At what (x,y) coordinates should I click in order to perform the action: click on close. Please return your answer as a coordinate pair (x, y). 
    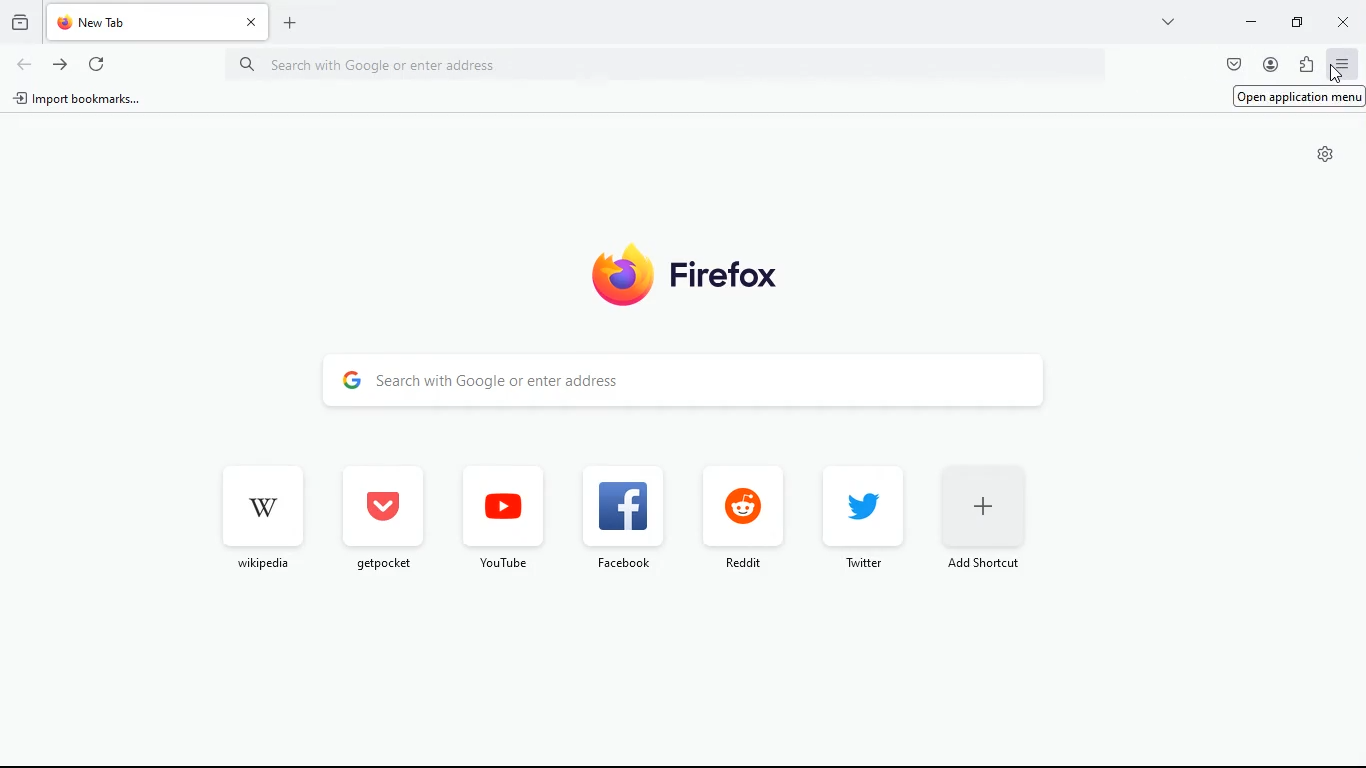
    Looking at the image, I should click on (1346, 20).